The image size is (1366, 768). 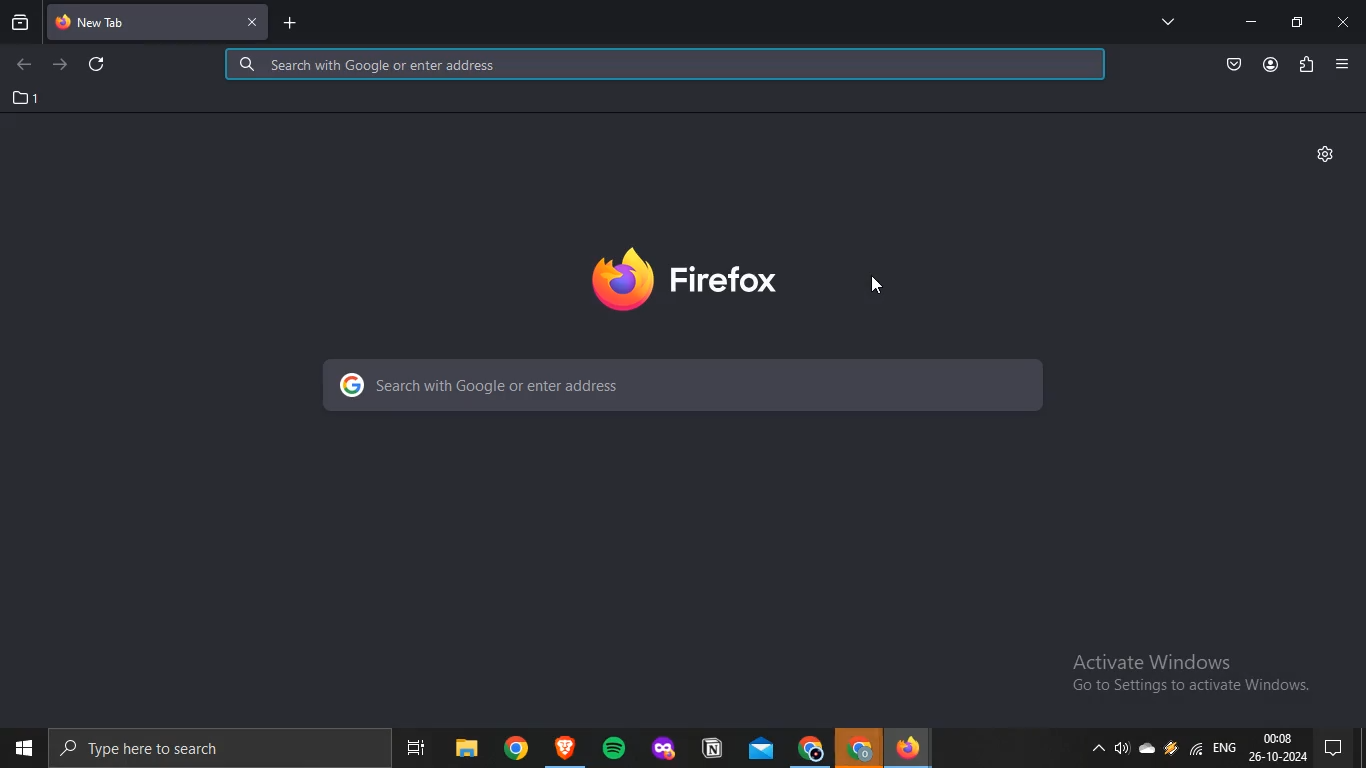 I want to click on wifi, so click(x=1197, y=752).